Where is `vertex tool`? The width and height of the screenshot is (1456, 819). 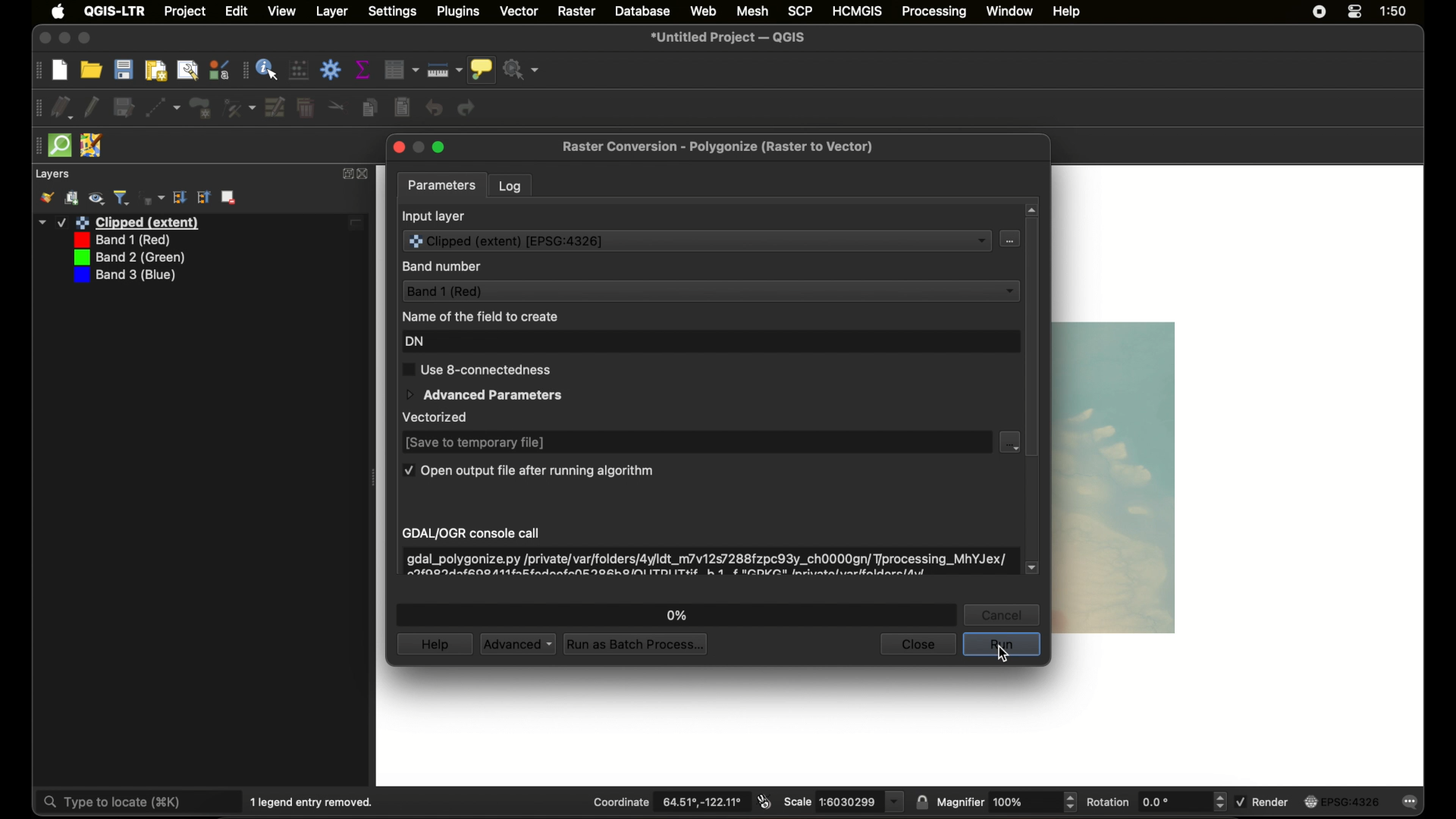
vertex tool is located at coordinates (238, 108).